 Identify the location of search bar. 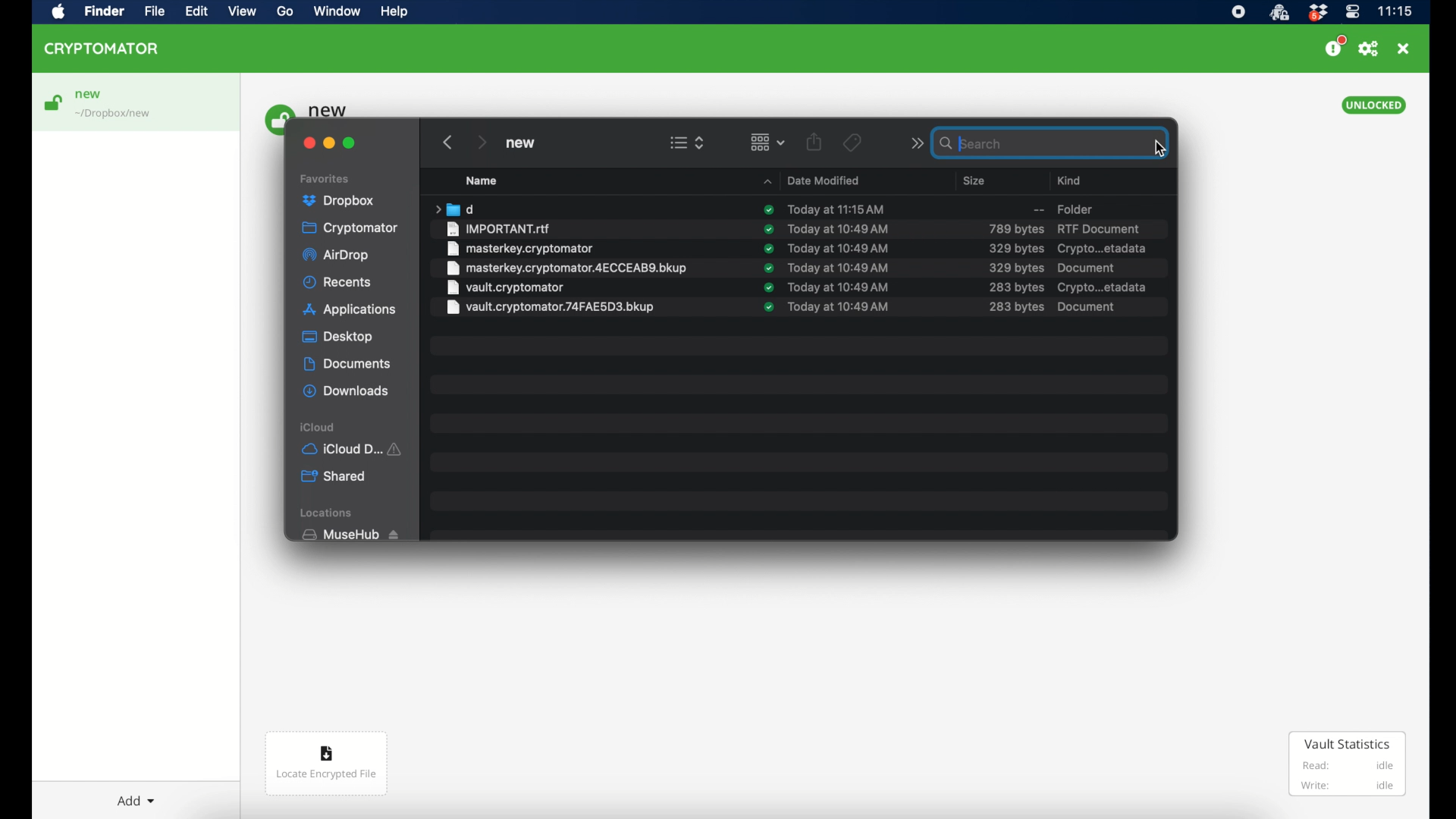
(1049, 143).